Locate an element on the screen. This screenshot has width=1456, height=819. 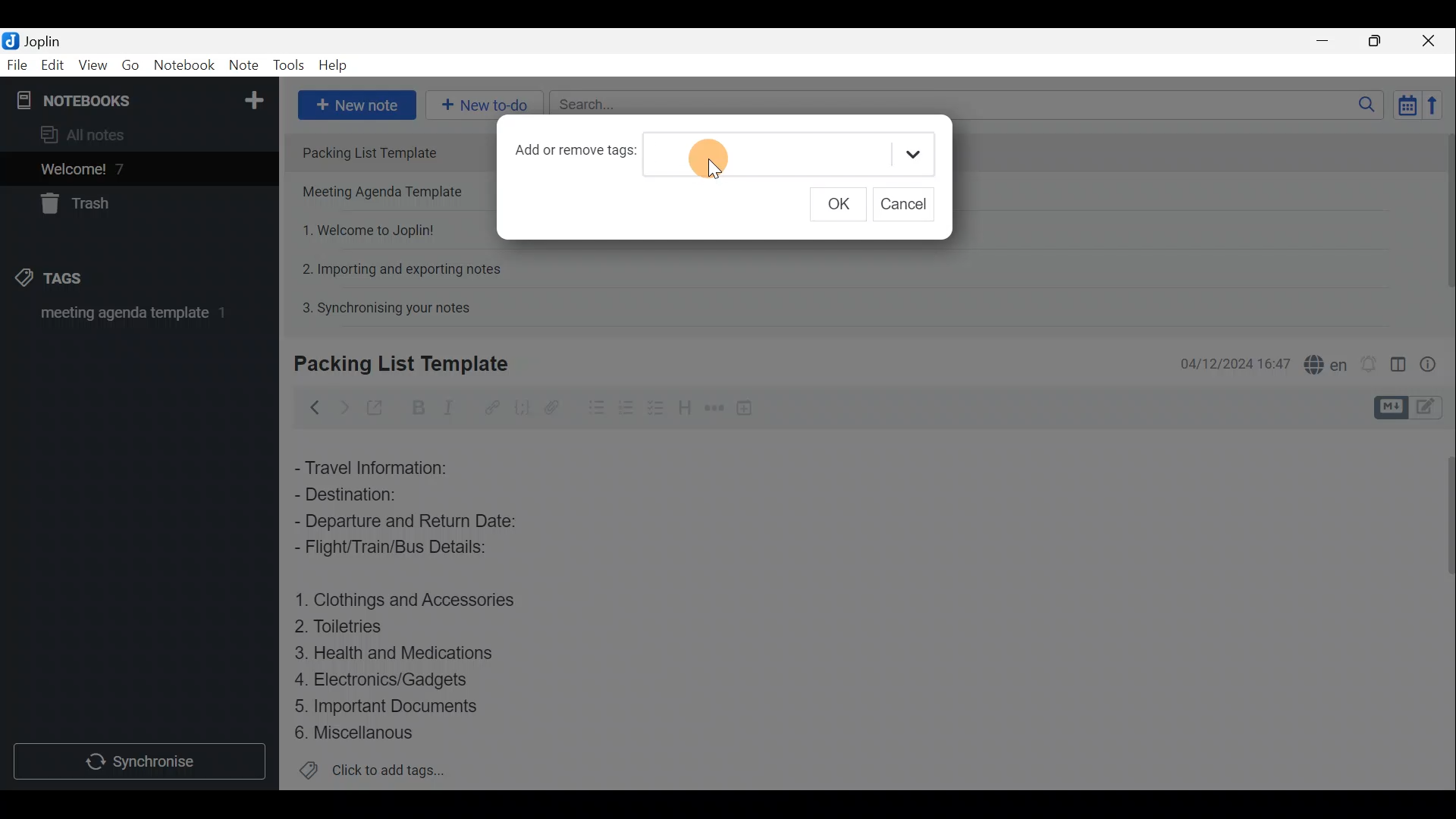
Reverse sort order is located at coordinates (1438, 104).